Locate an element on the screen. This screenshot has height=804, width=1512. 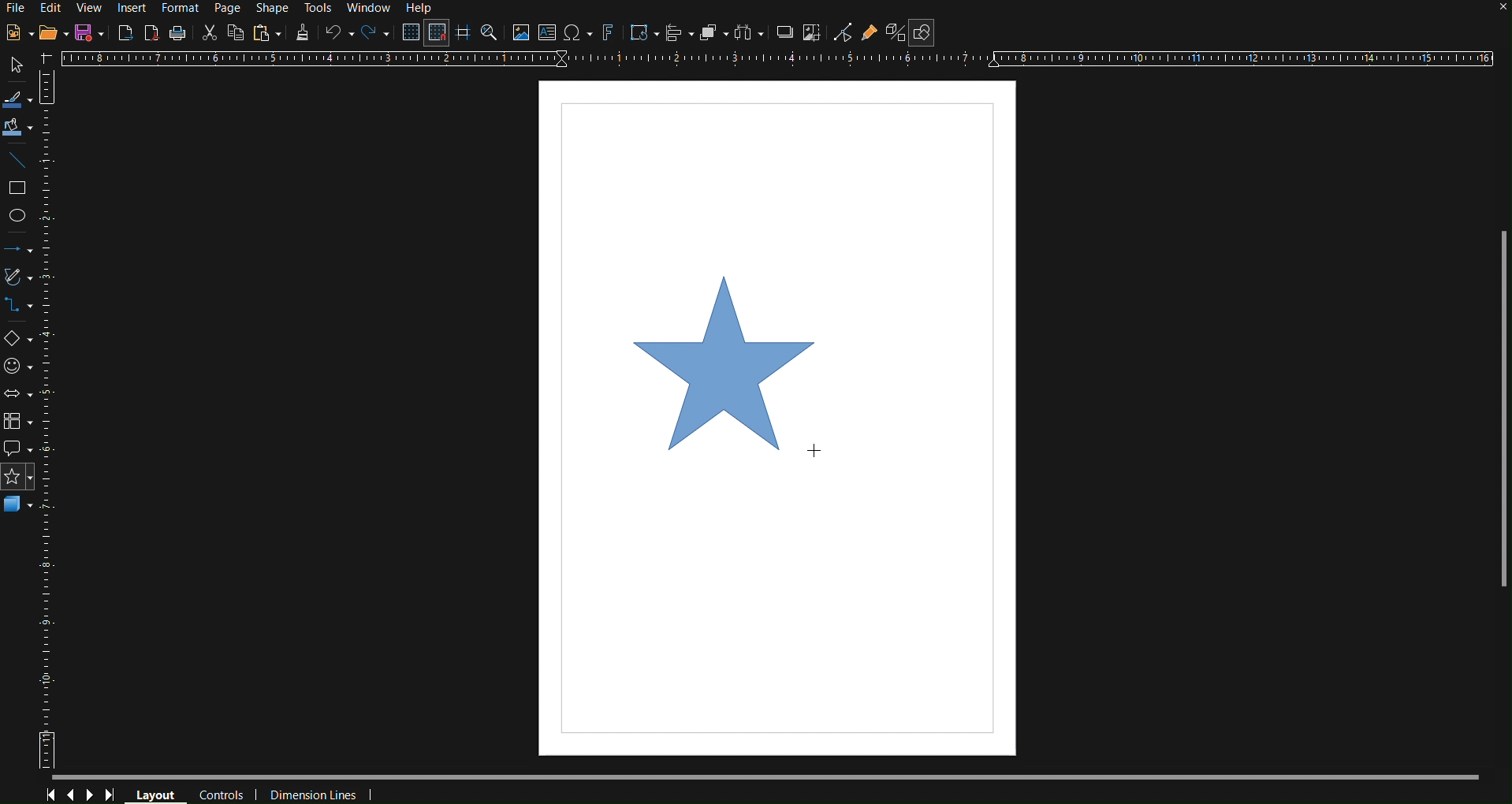
Fill Color is located at coordinates (18, 127).